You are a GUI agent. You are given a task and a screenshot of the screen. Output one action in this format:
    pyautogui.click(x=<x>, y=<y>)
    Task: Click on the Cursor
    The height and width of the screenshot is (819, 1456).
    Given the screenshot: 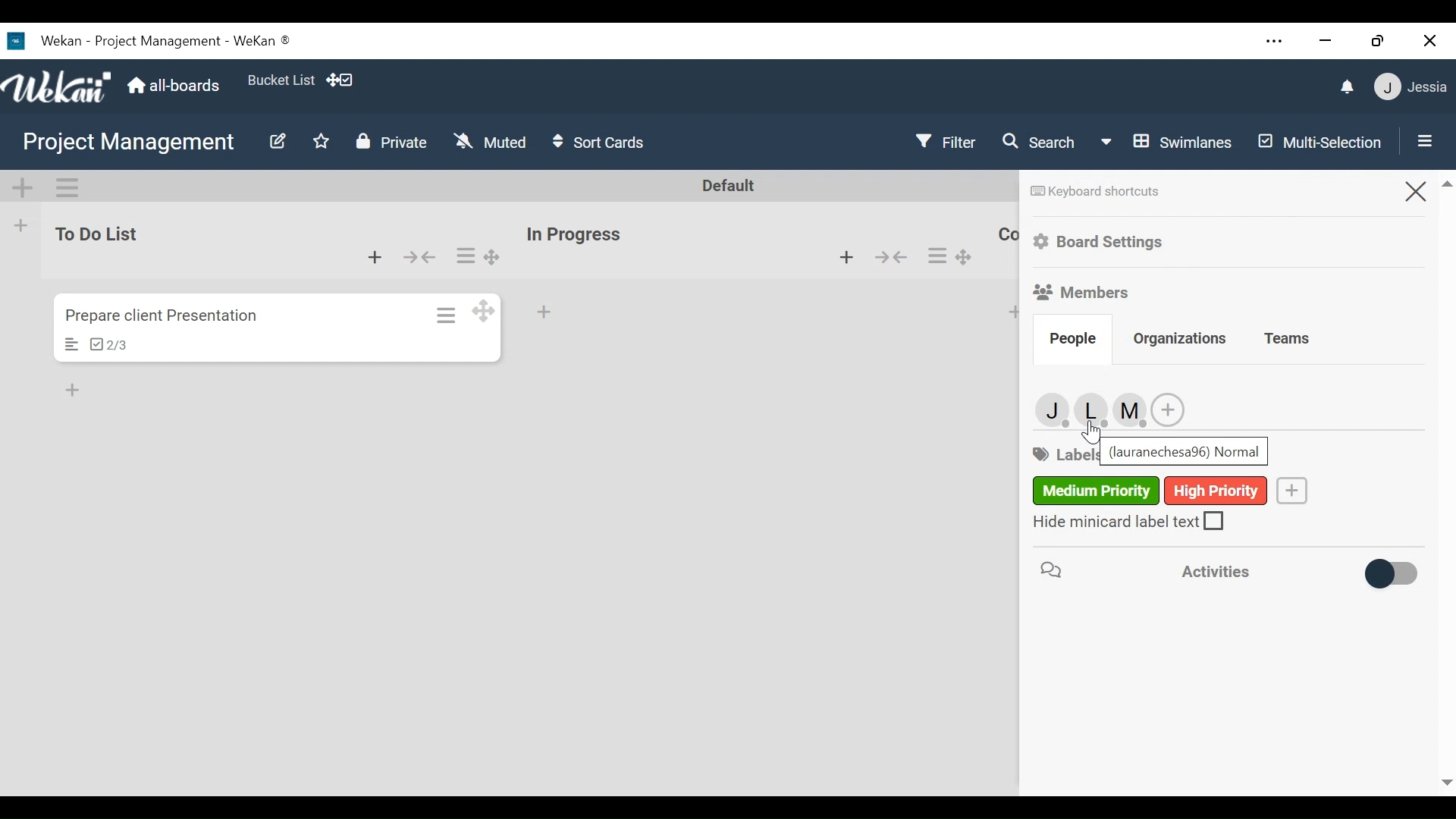 What is the action you would take?
    pyautogui.click(x=1091, y=431)
    